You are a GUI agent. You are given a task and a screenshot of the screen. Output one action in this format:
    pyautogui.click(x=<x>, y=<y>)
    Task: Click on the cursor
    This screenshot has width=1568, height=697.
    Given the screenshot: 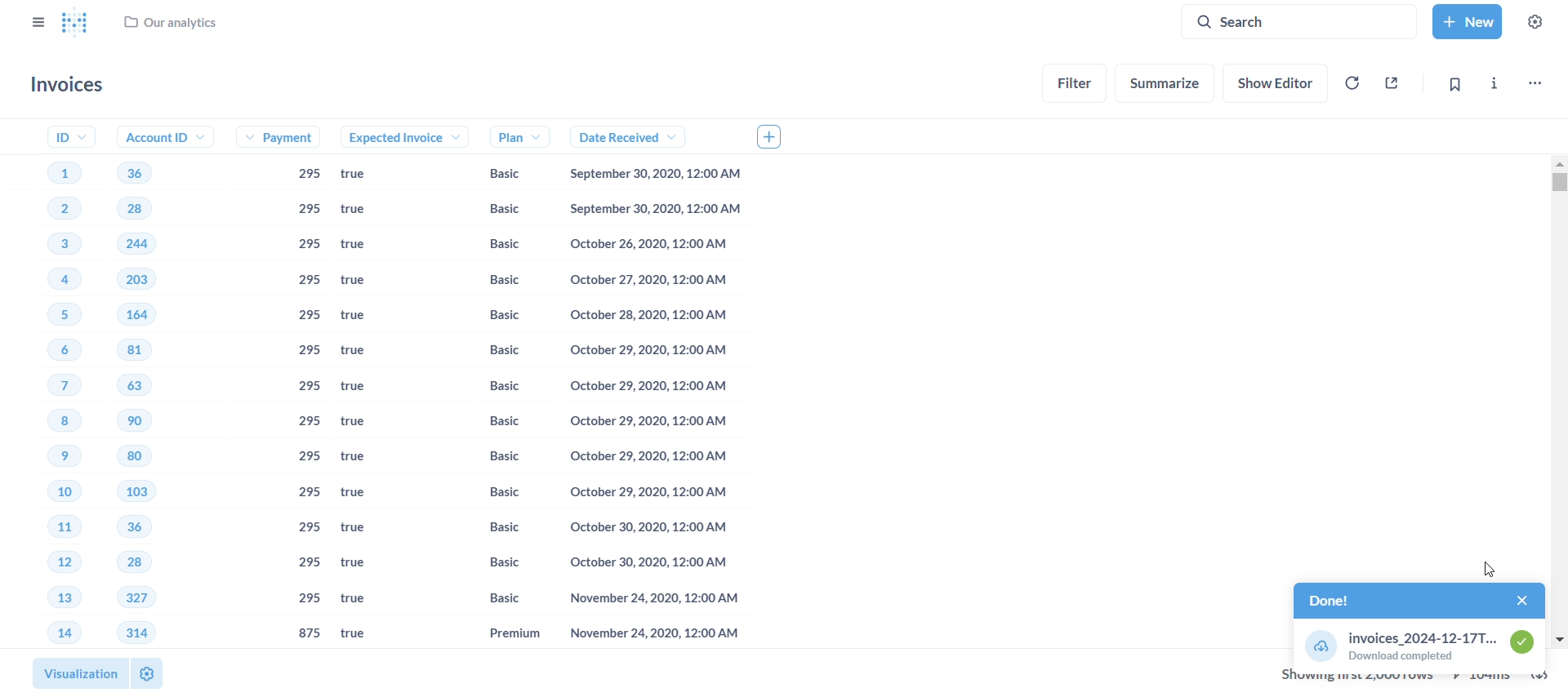 What is the action you would take?
    pyautogui.click(x=1483, y=566)
    